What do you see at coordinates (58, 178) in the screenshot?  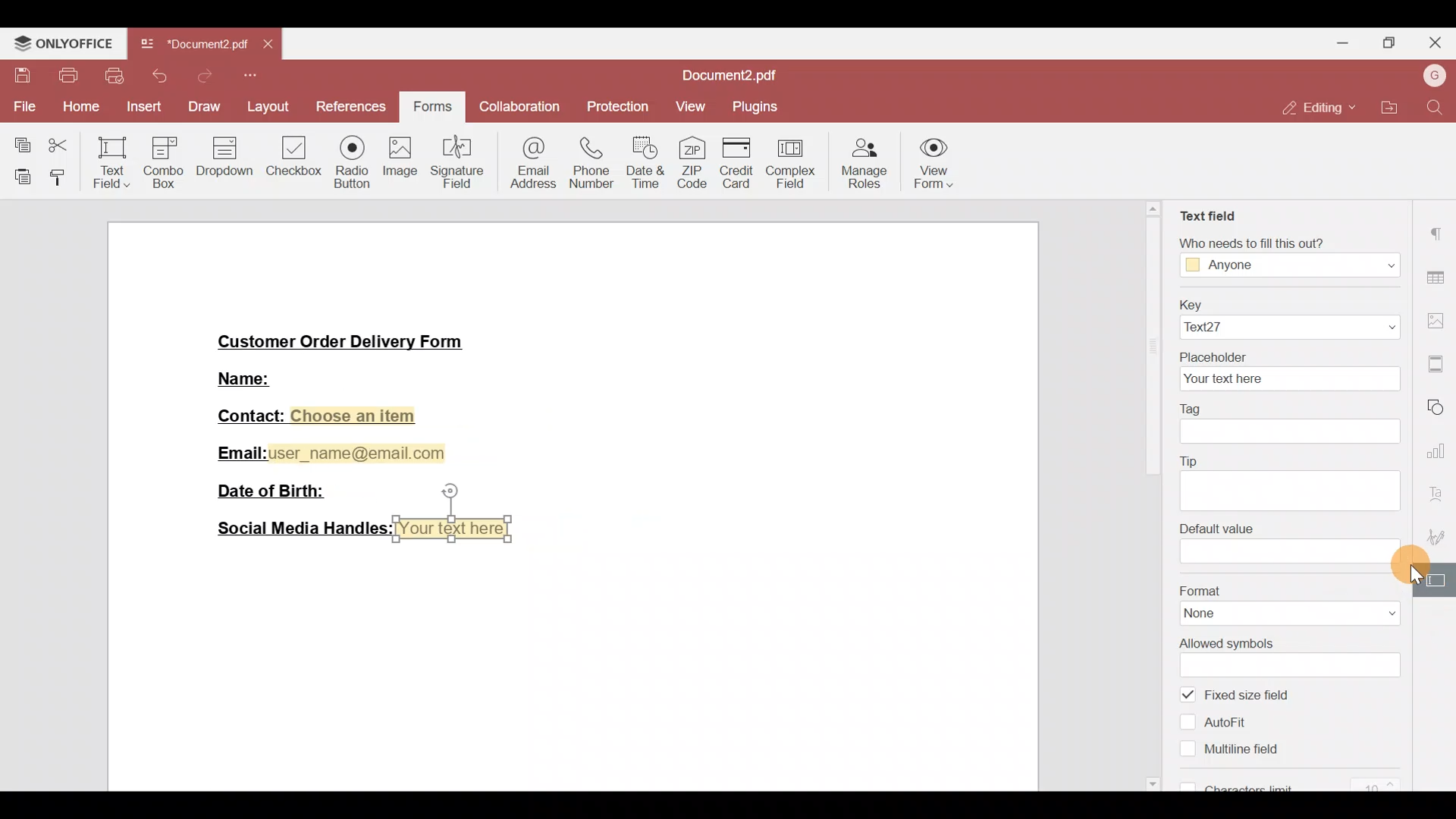 I see `Copy style` at bounding box center [58, 178].